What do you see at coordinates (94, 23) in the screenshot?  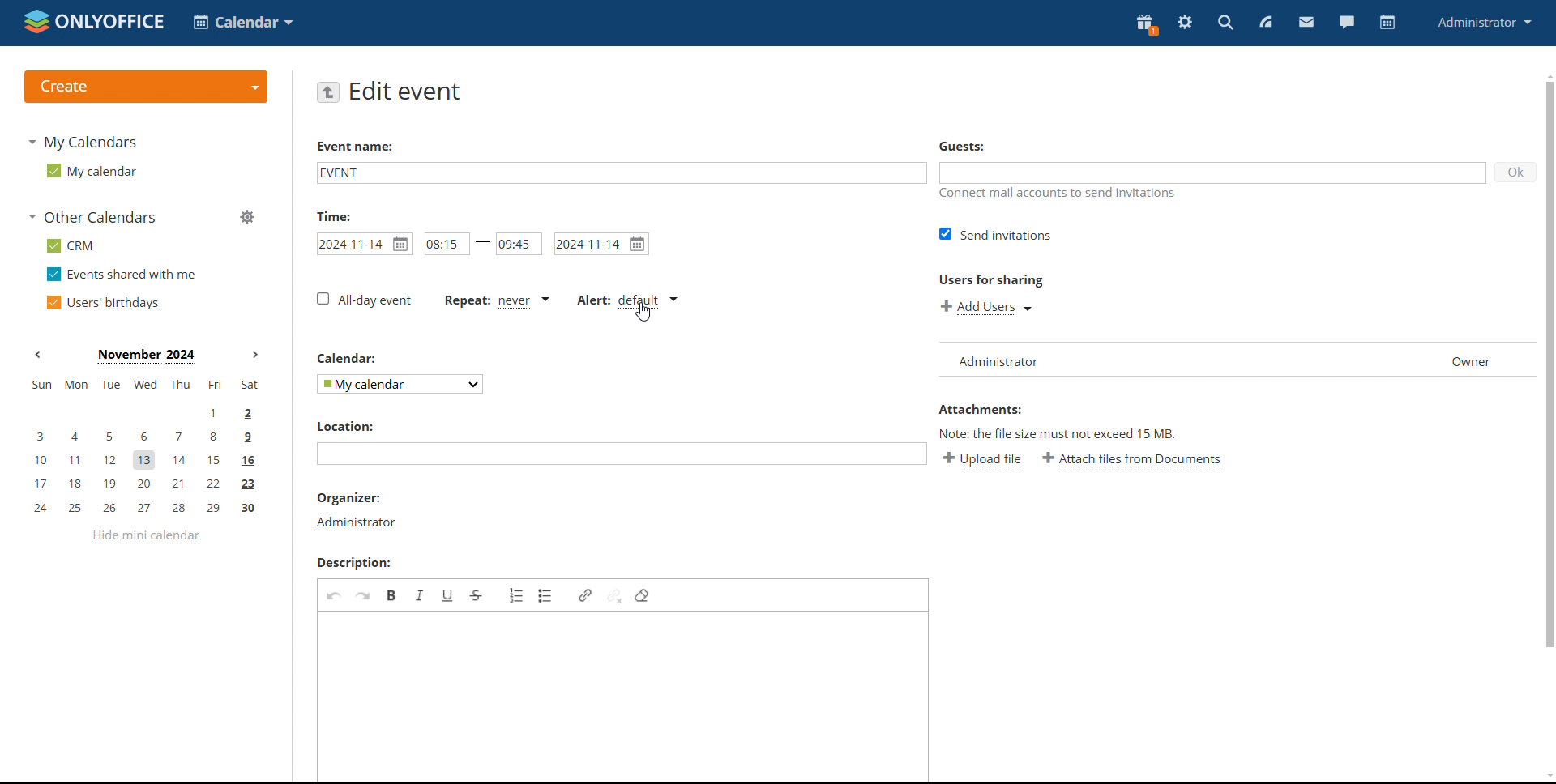 I see `logo` at bounding box center [94, 23].